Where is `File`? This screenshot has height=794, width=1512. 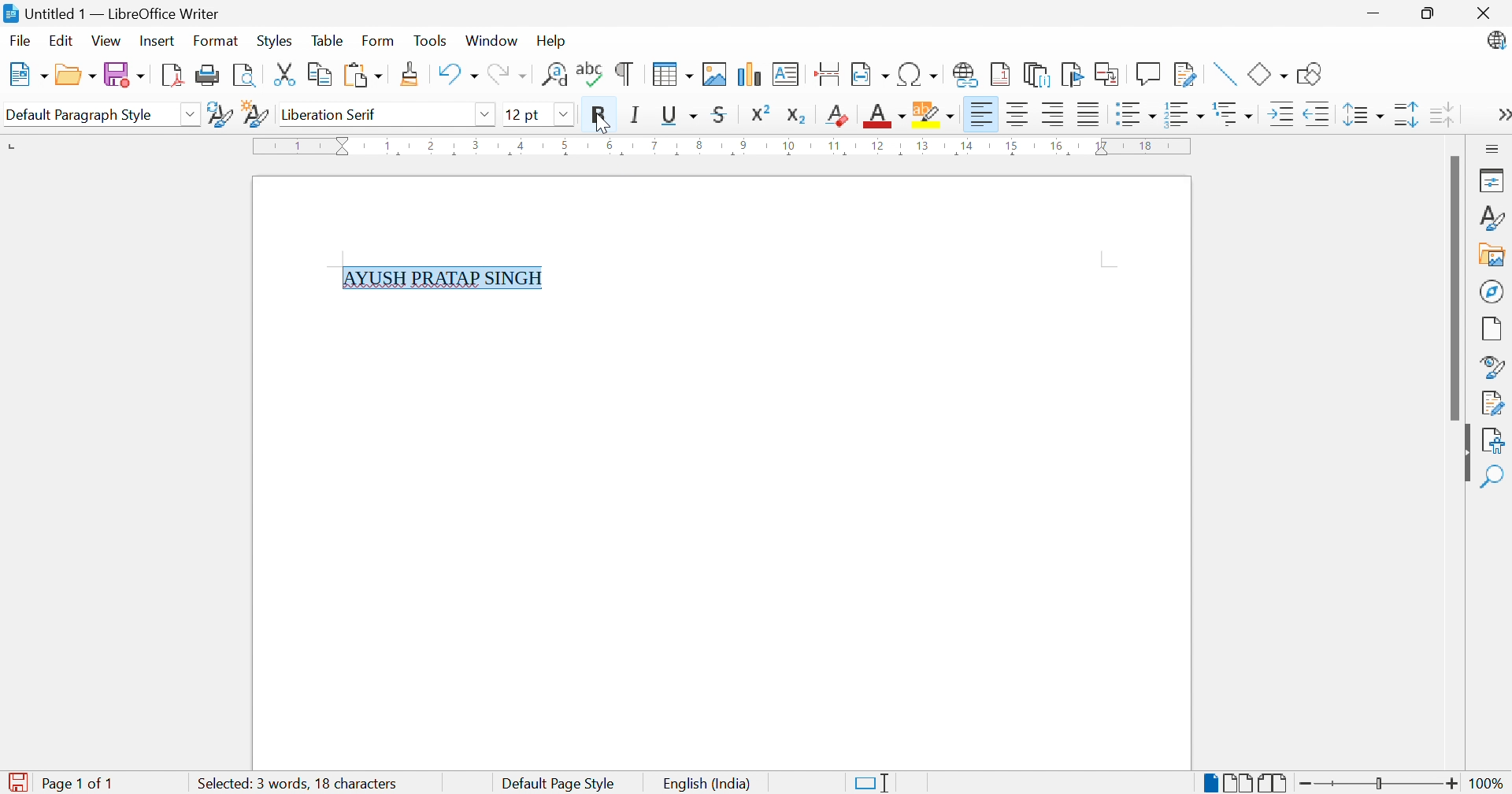 File is located at coordinates (18, 39).